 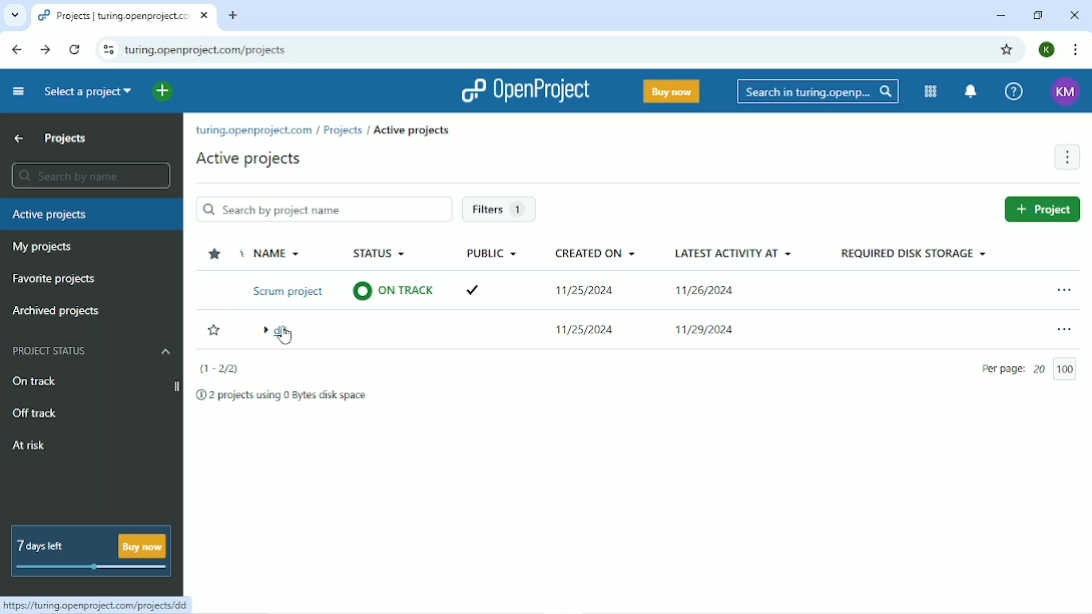 I want to click on Name, so click(x=281, y=252).